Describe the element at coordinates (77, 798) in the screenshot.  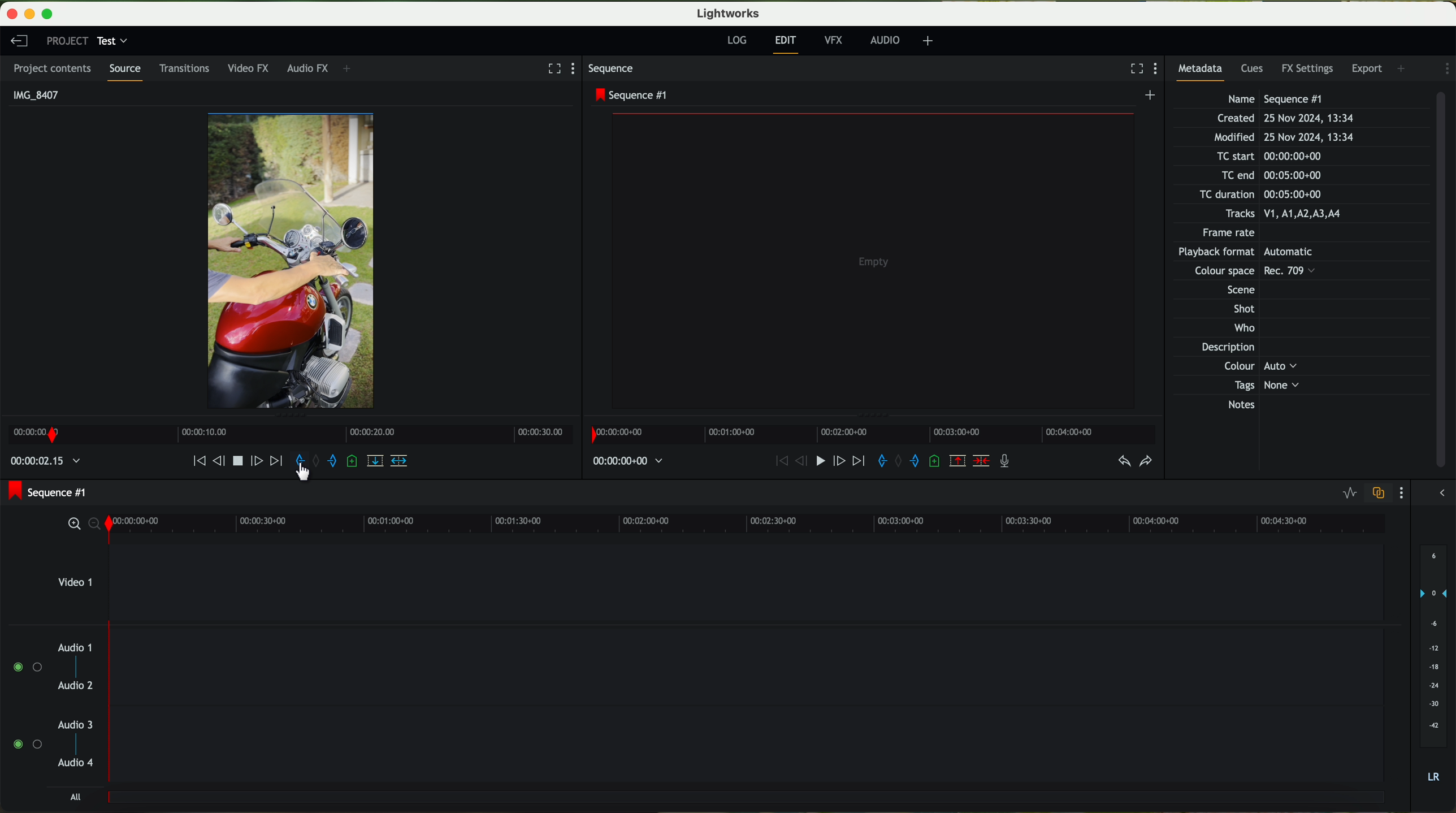
I see `all` at that location.